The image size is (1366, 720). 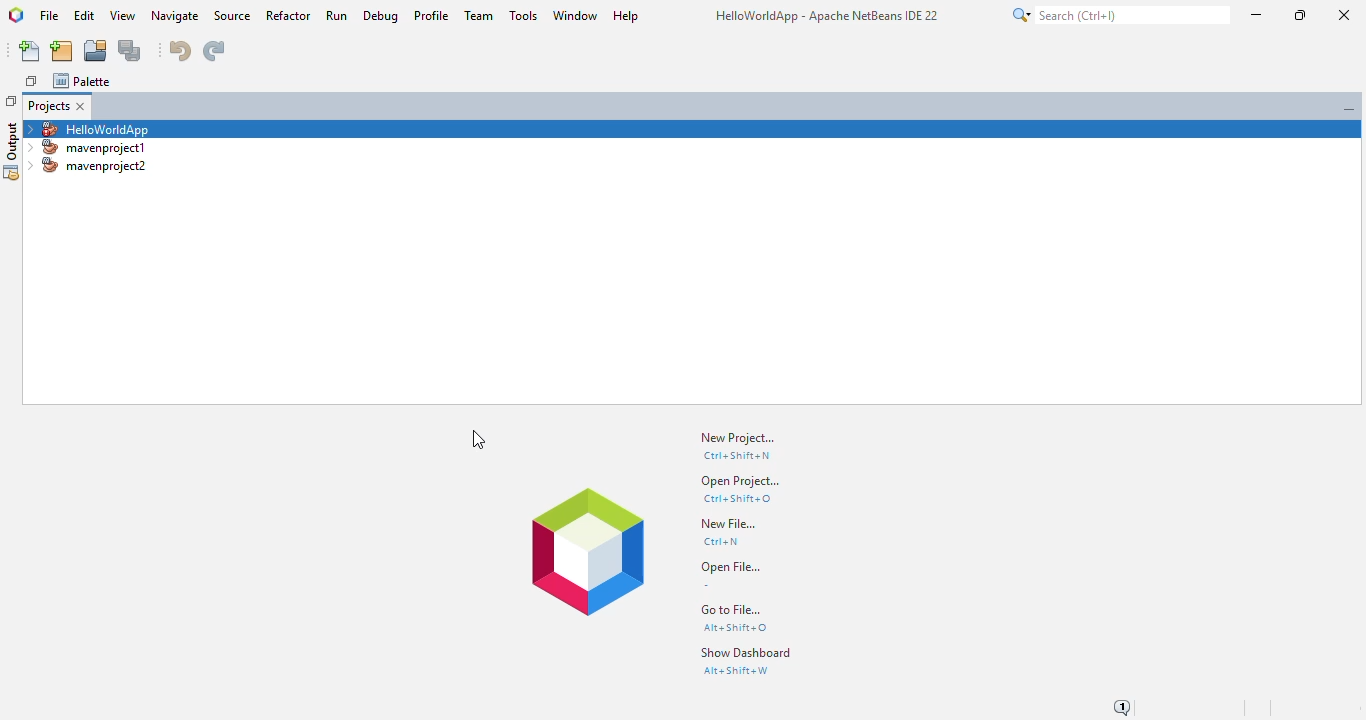 What do you see at coordinates (733, 610) in the screenshot?
I see `go to file` at bounding box center [733, 610].